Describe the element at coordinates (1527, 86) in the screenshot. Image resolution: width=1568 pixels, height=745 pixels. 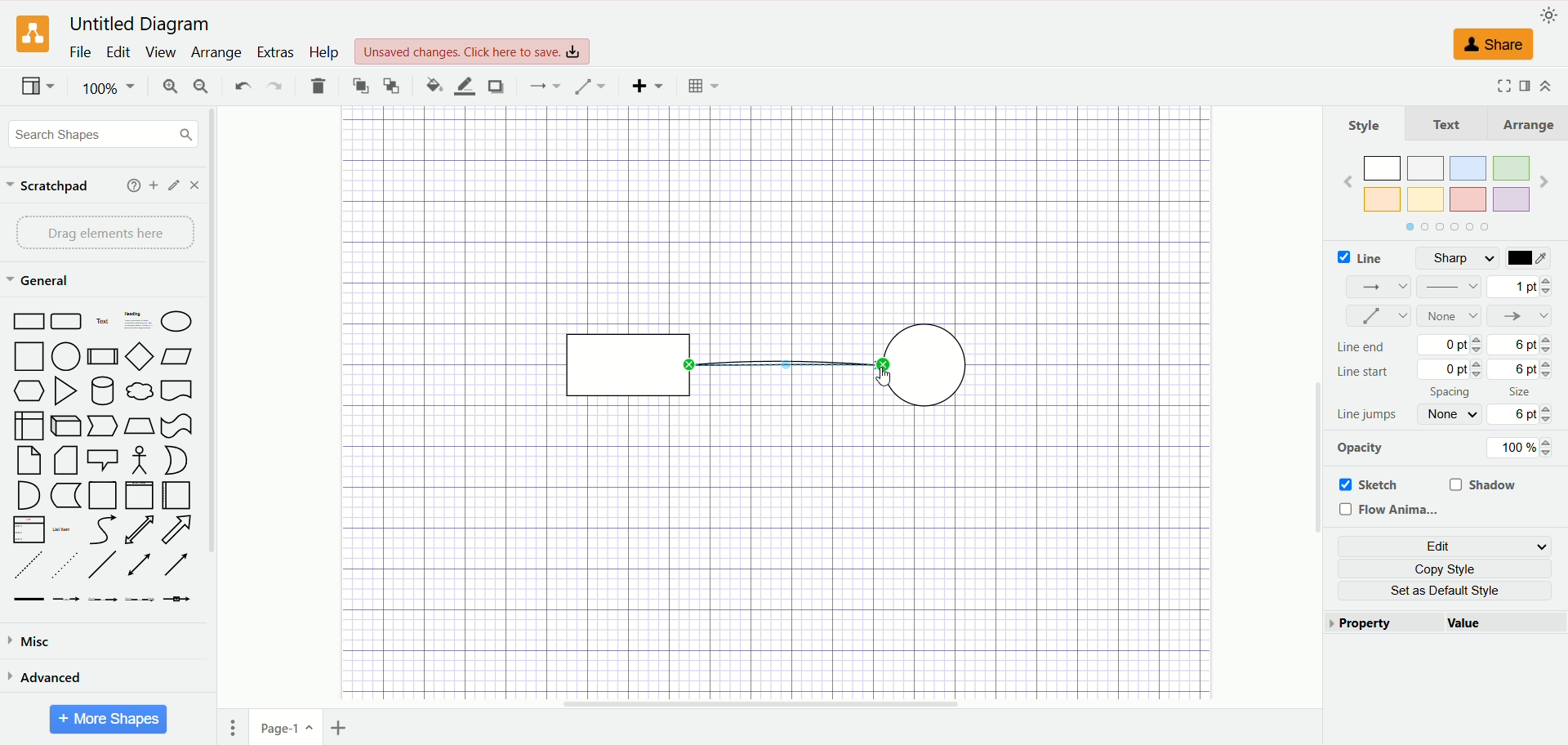
I see `format` at that location.